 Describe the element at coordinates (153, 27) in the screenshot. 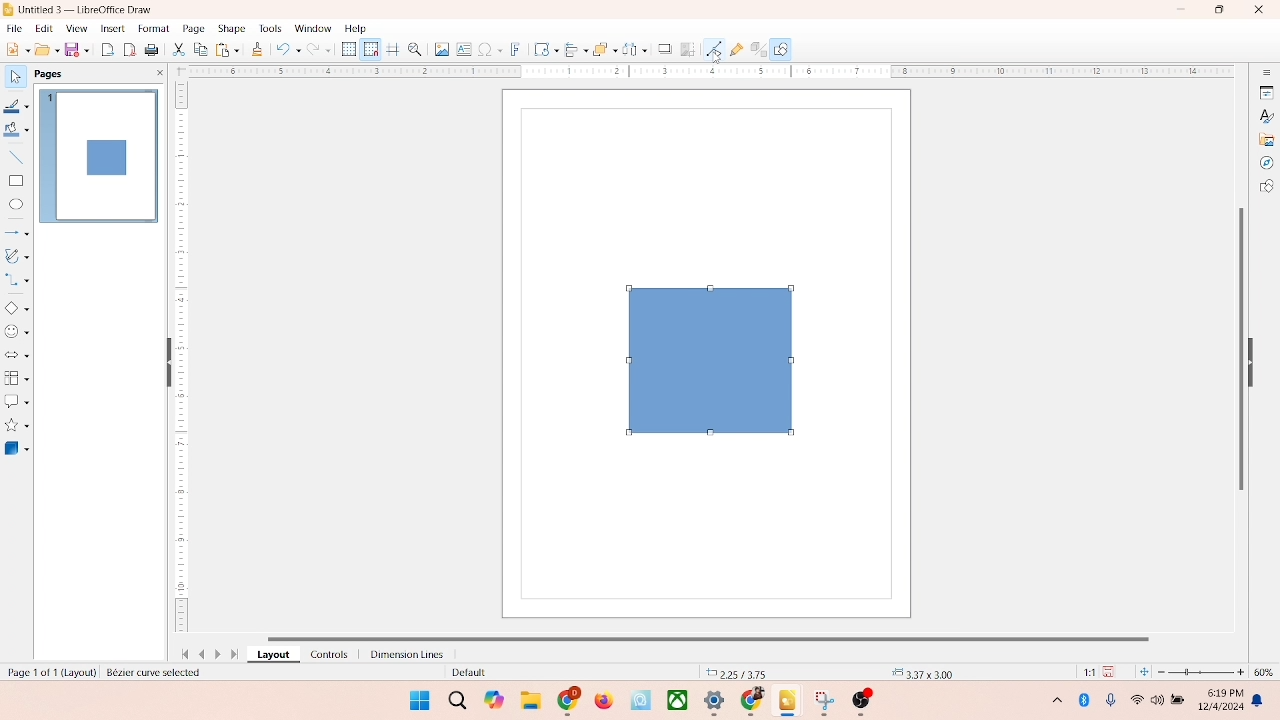

I see `format` at that location.